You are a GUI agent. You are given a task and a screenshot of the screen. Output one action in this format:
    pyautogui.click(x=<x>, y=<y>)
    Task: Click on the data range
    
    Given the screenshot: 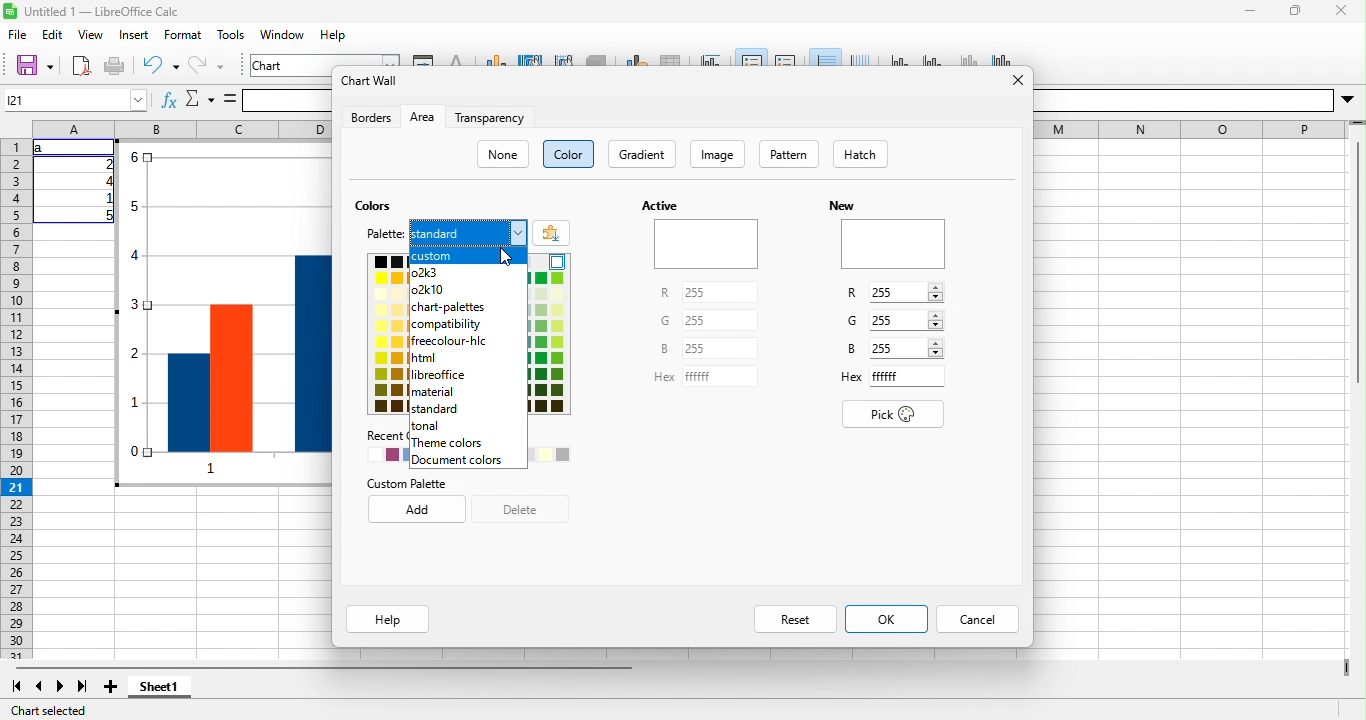 What is the action you would take?
    pyautogui.click(x=636, y=59)
    